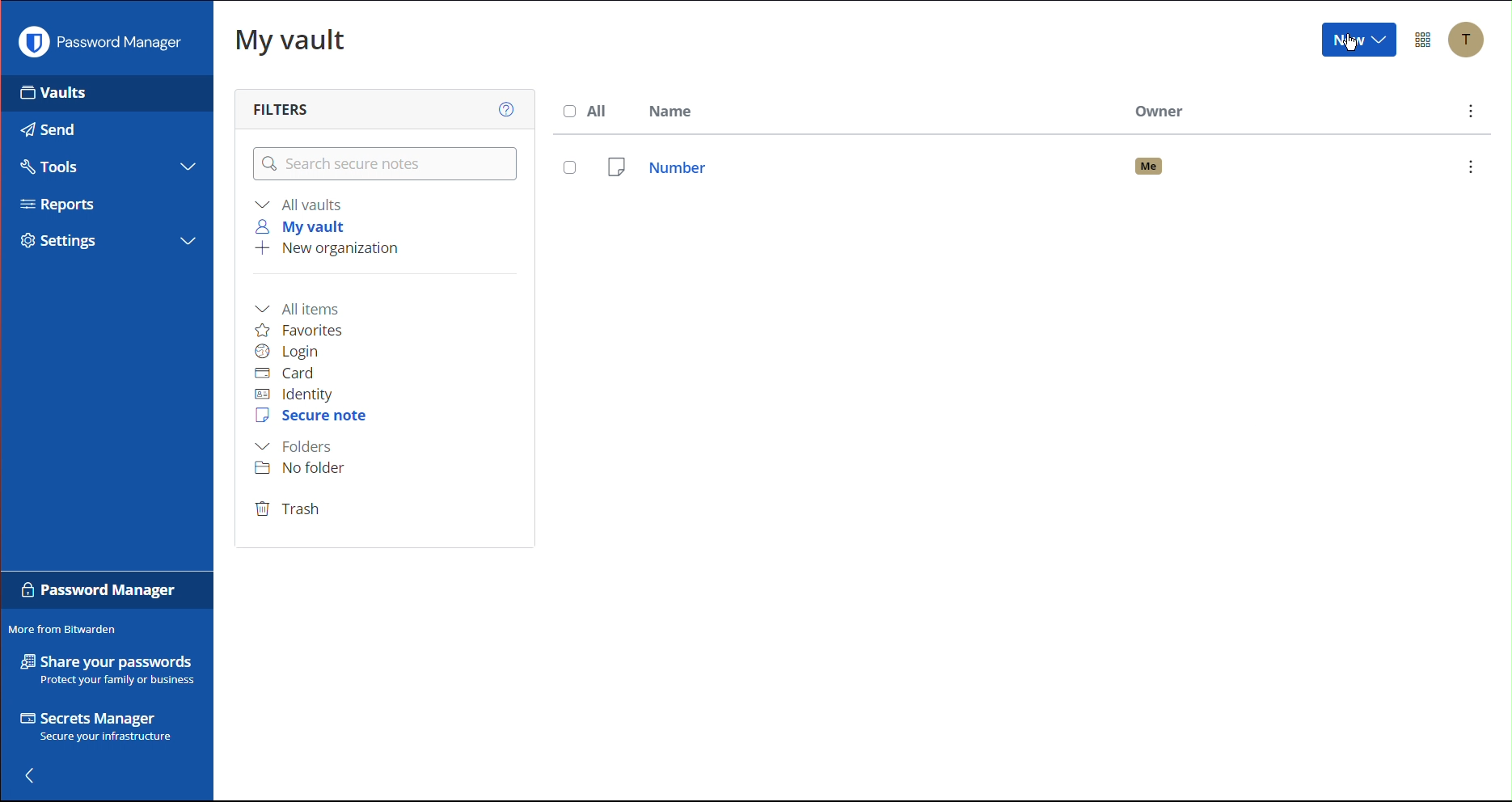  What do you see at coordinates (47, 164) in the screenshot?
I see `Tools` at bounding box center [47, 164].